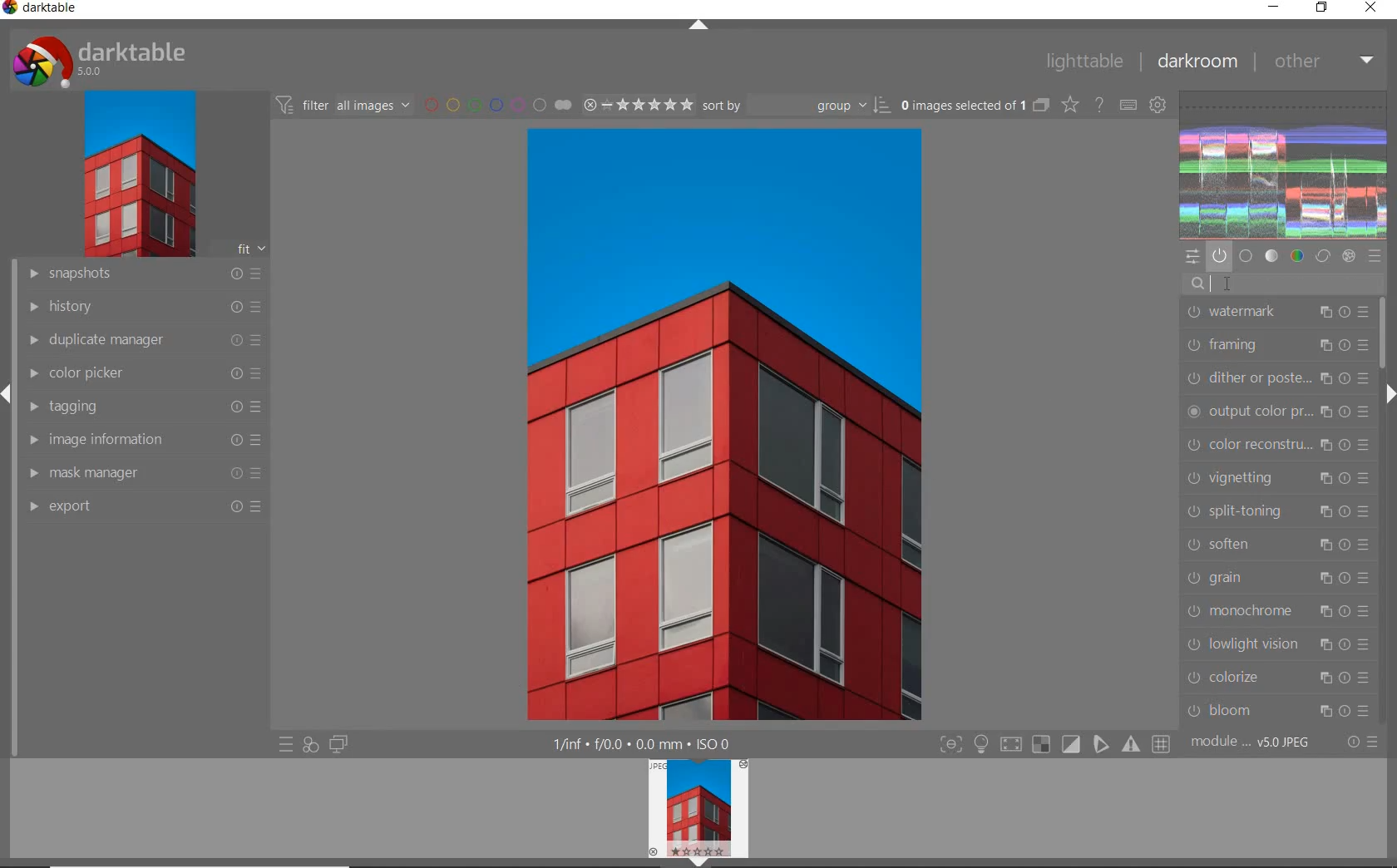 The width and height of the screenshot is (1397, 868). What do you see at coordinates (1286, 283) in the screenshot?
I see `search module` at bounding box center [1286, 283].